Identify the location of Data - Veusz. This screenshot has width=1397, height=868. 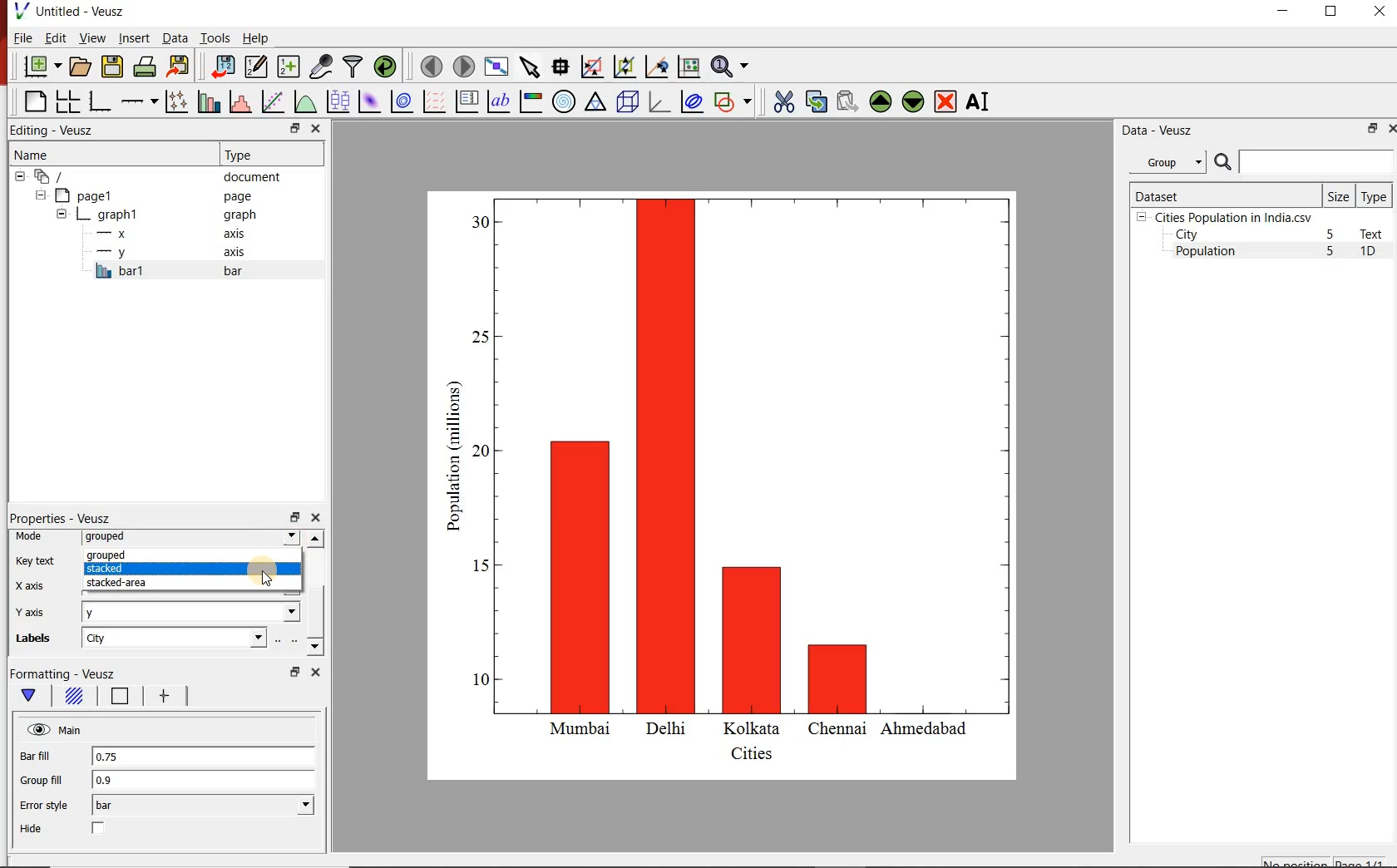
(1154, 130).